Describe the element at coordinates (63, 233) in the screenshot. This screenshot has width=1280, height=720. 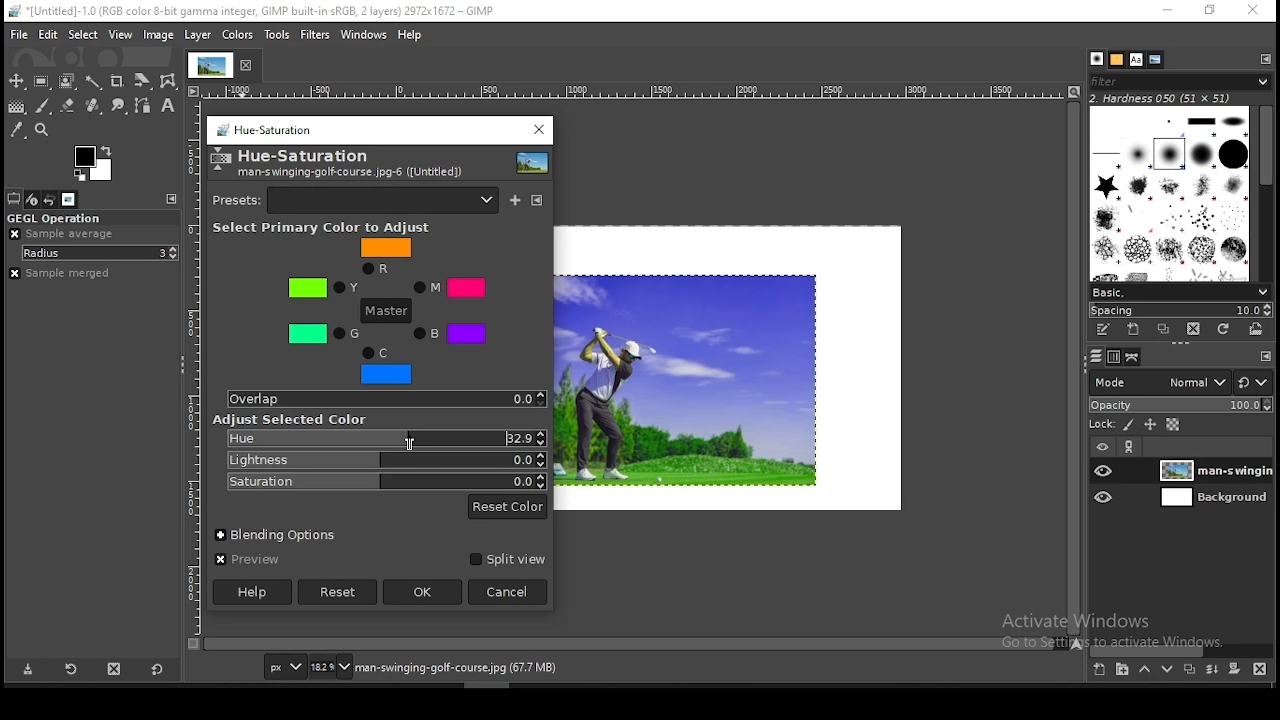
I see `ample average` at that location.